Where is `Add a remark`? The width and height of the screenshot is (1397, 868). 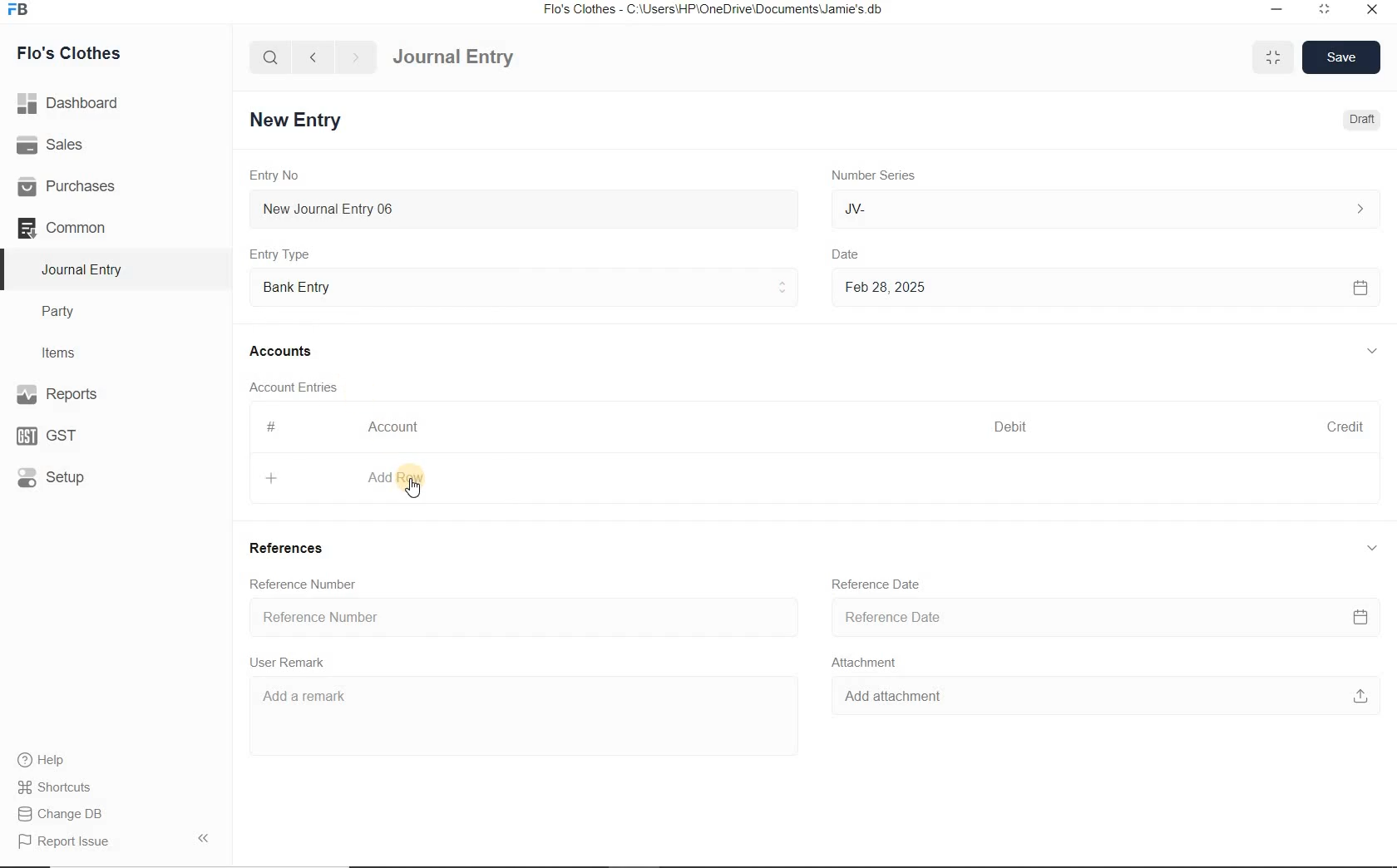
Add a remark is located at coordinates (508, 702).